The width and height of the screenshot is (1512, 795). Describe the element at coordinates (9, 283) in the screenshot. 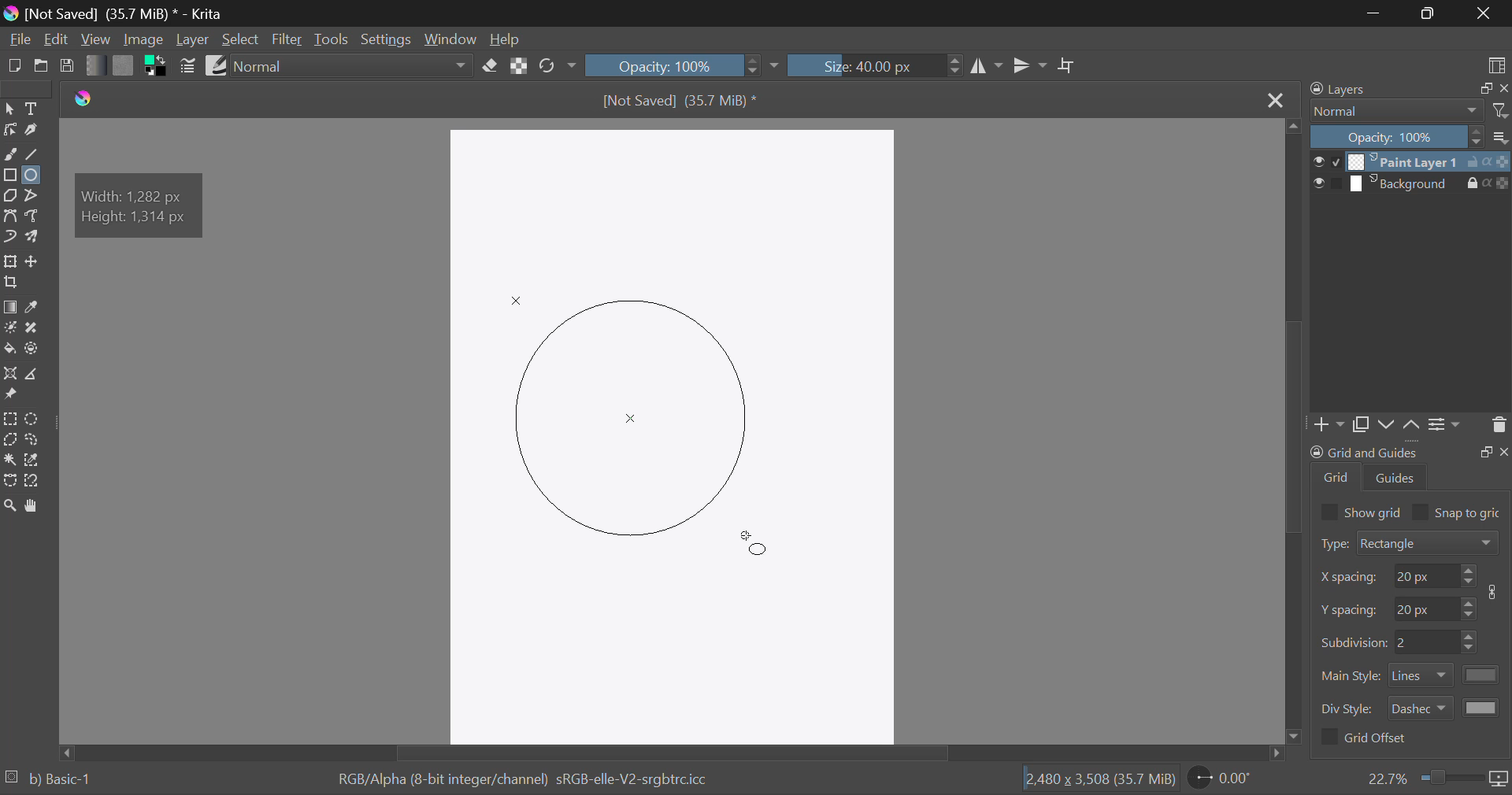

I see `Crop` at that location.